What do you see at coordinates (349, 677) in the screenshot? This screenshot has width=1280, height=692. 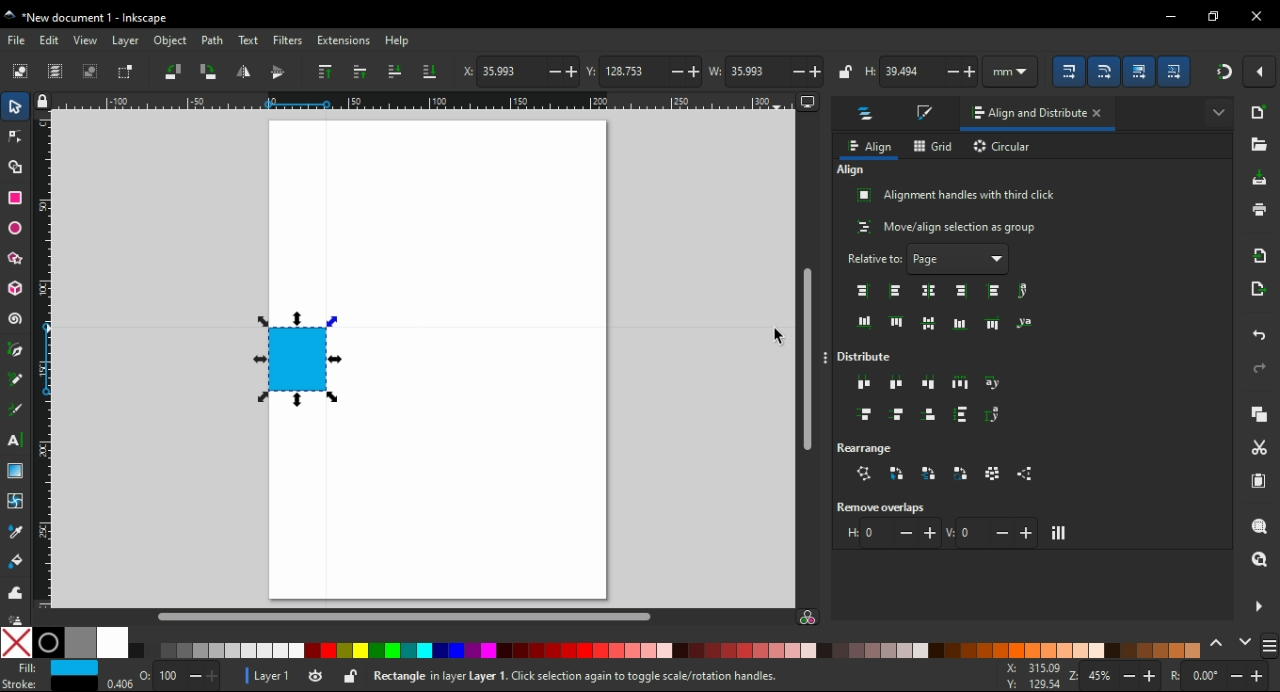 I see `unlocked selected object` at bounding box center [349, 677].